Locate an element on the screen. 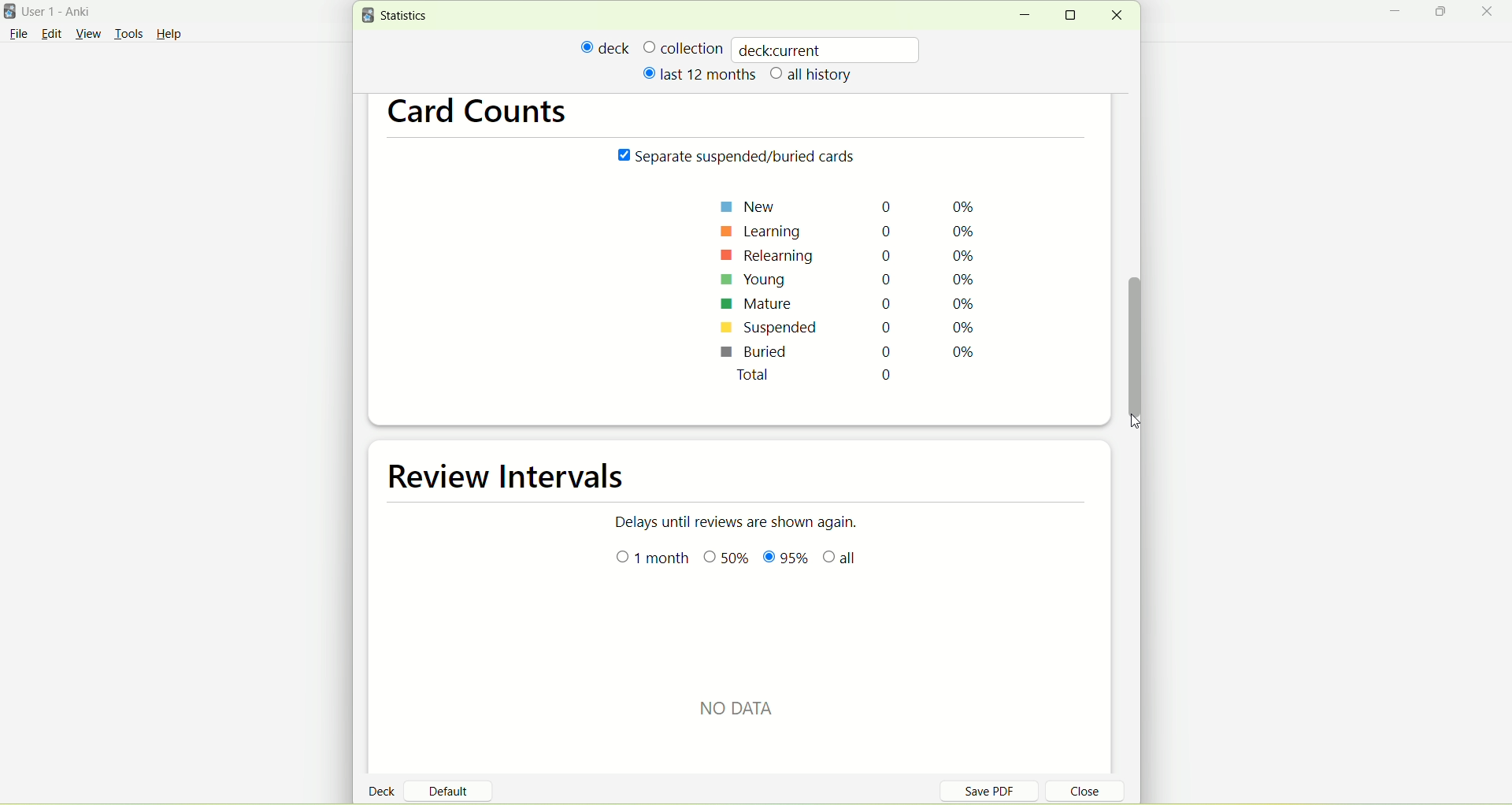 This screenshot has height=805, width=1512. edit is located at coordinates (51, 33).